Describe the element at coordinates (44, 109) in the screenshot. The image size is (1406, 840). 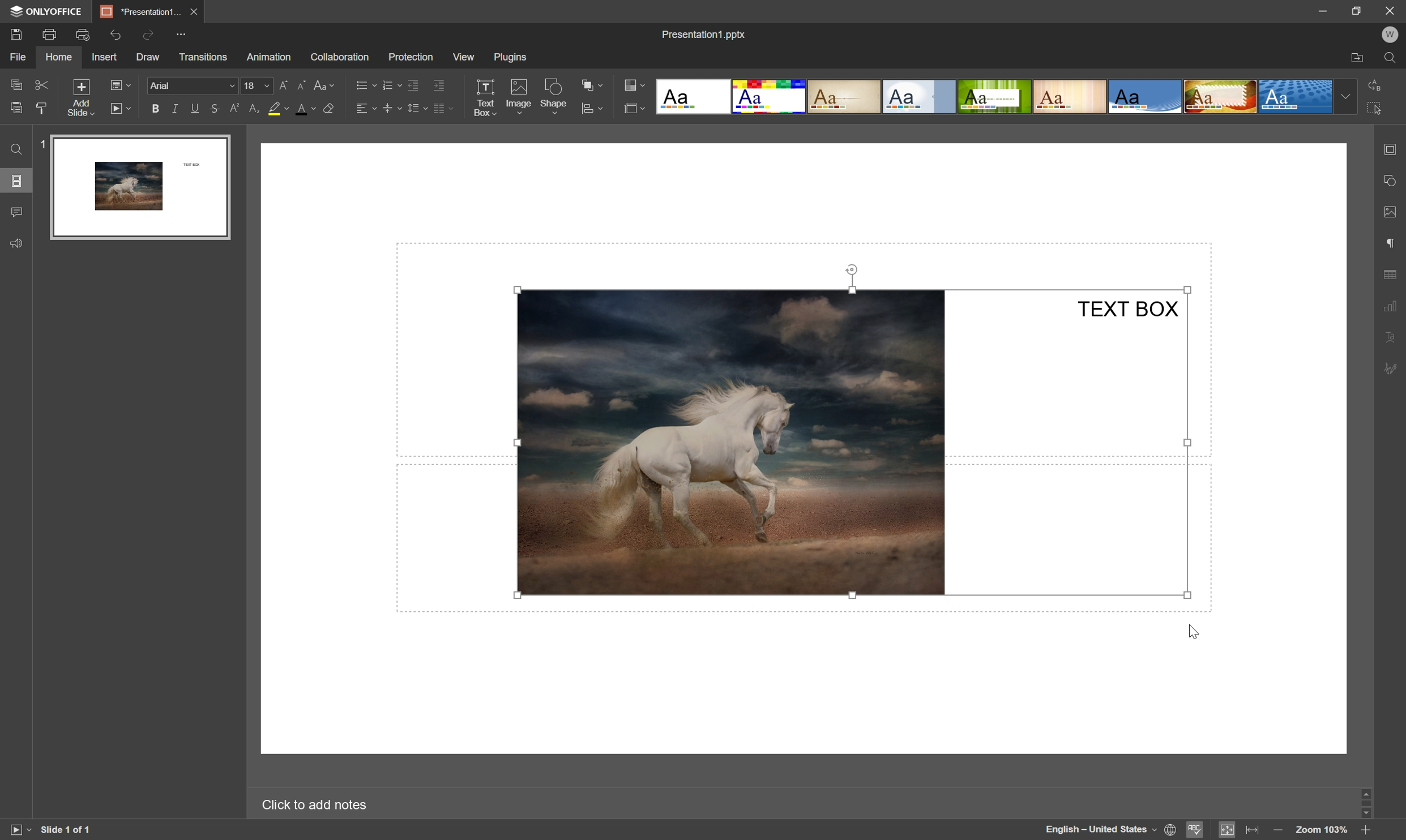
I see `clear style` at that location.